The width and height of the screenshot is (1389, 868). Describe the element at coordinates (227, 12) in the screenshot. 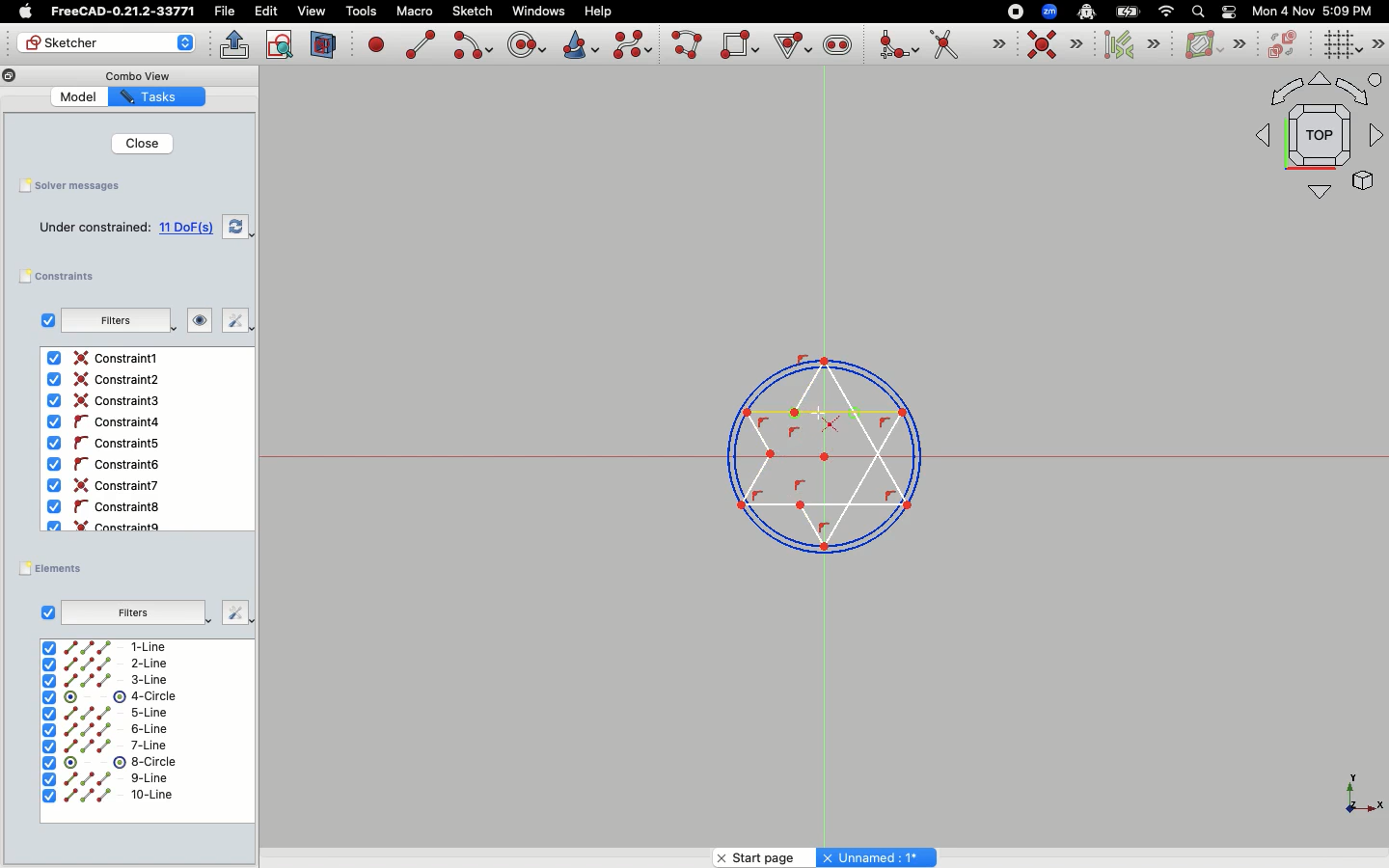

I see `File` at that location.